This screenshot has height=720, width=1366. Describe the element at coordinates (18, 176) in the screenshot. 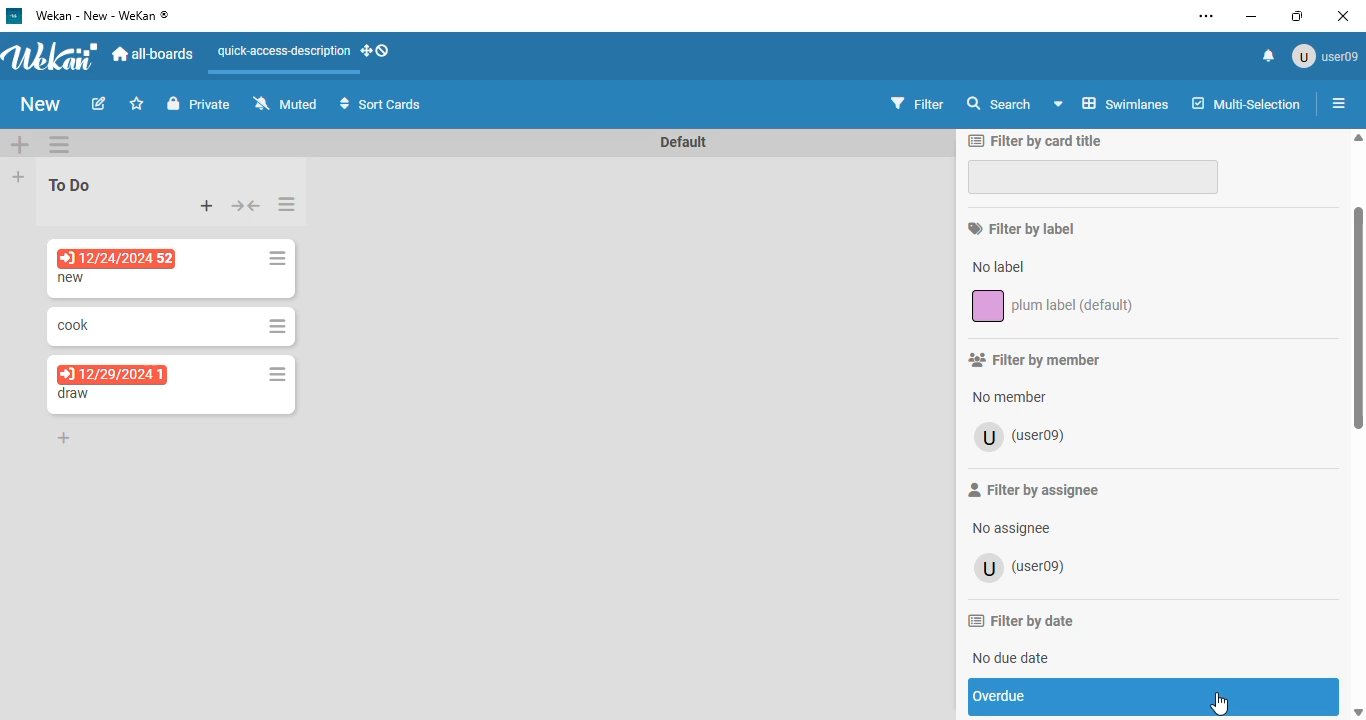

I see `add list` at that location.